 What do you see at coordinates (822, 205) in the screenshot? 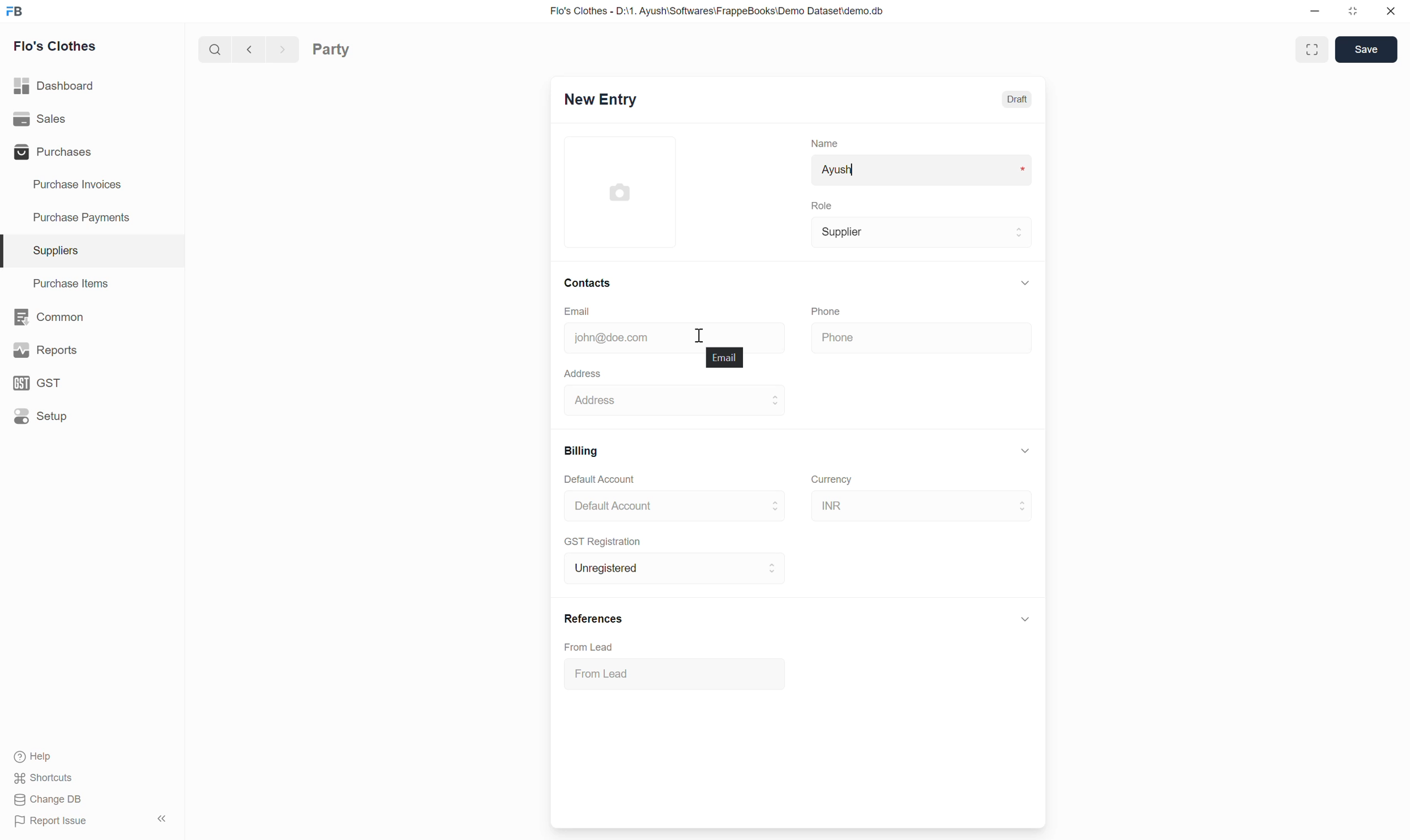
I see `Role` at bounding box center [822, 205].